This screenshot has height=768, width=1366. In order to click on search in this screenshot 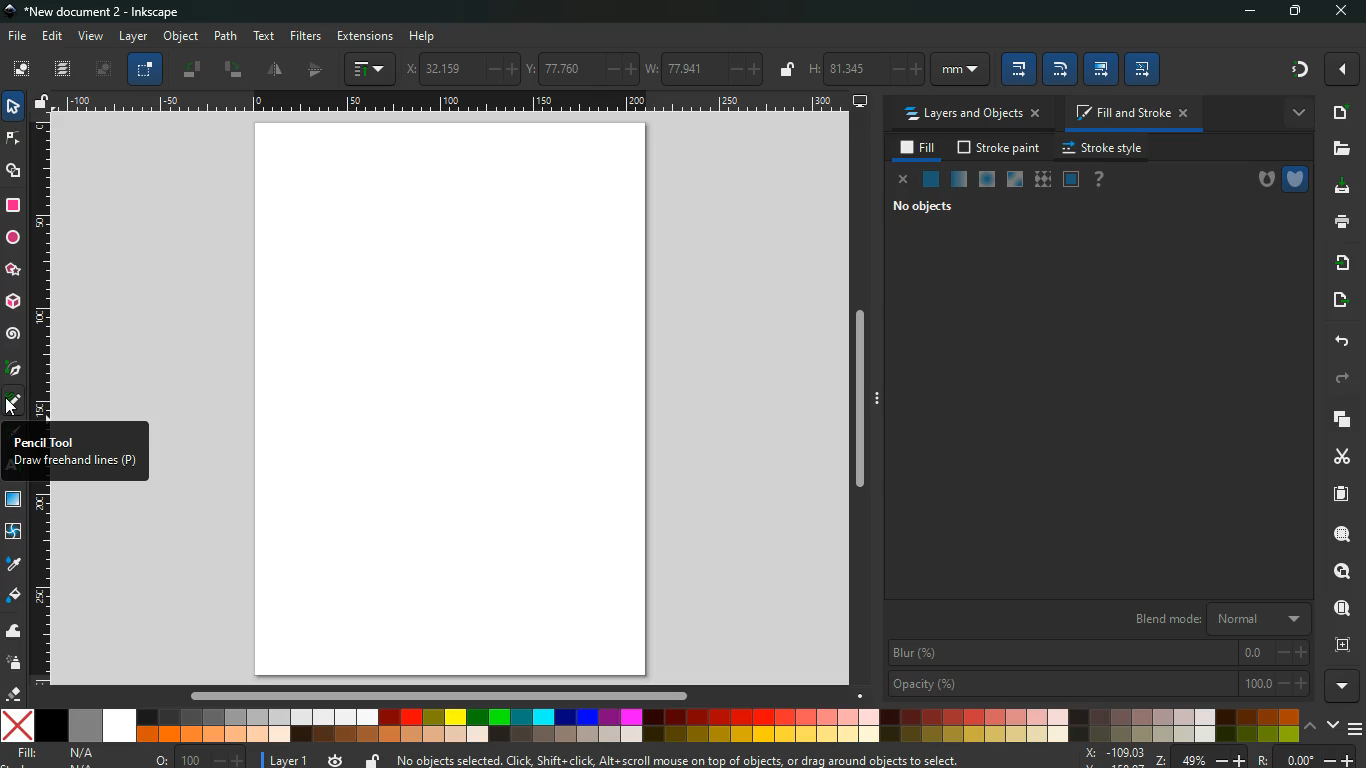, I will do `click(1339, 532)`.